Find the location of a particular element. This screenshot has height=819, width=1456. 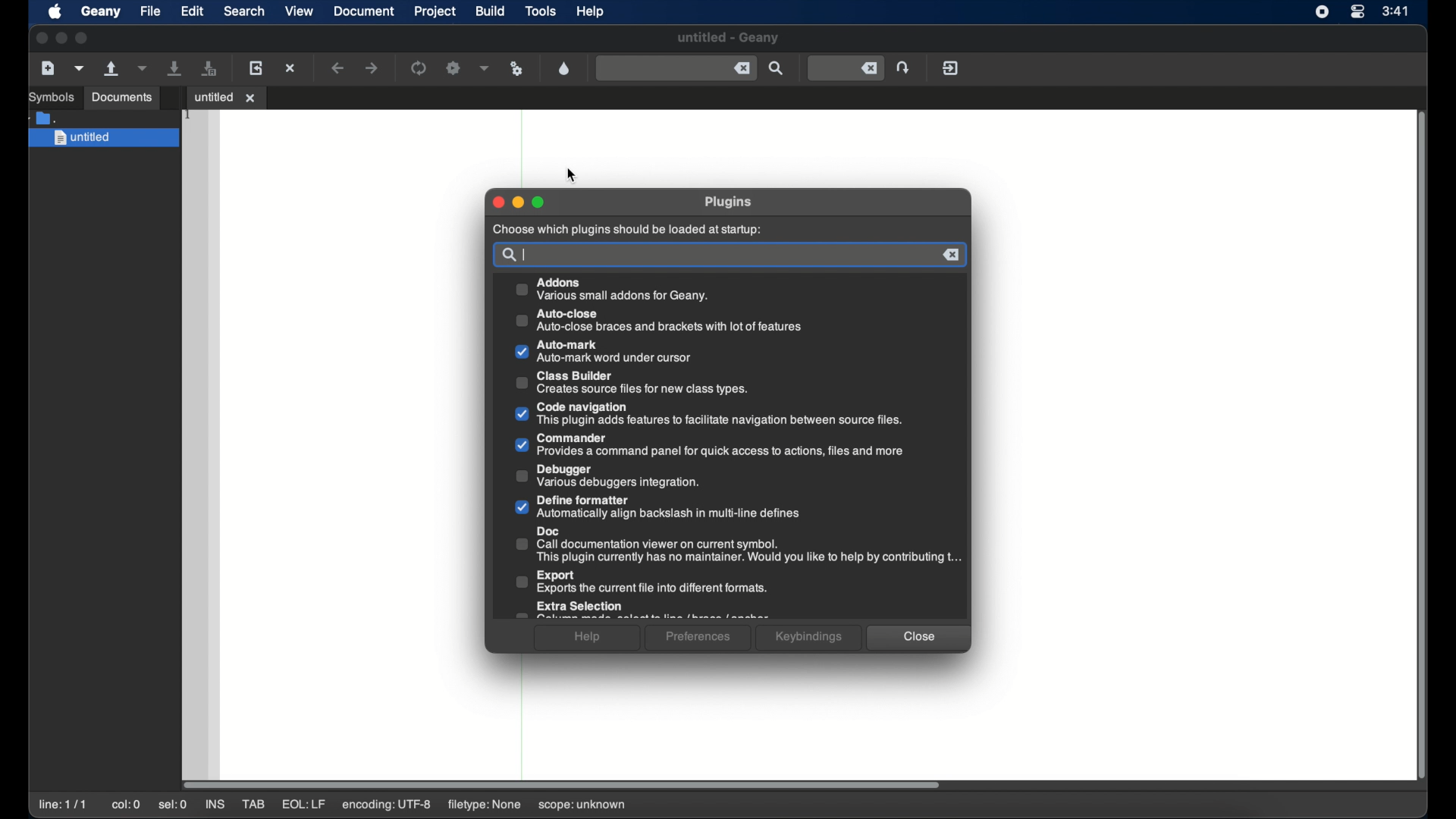

navigate back a location is located at coordinates (339, 68).